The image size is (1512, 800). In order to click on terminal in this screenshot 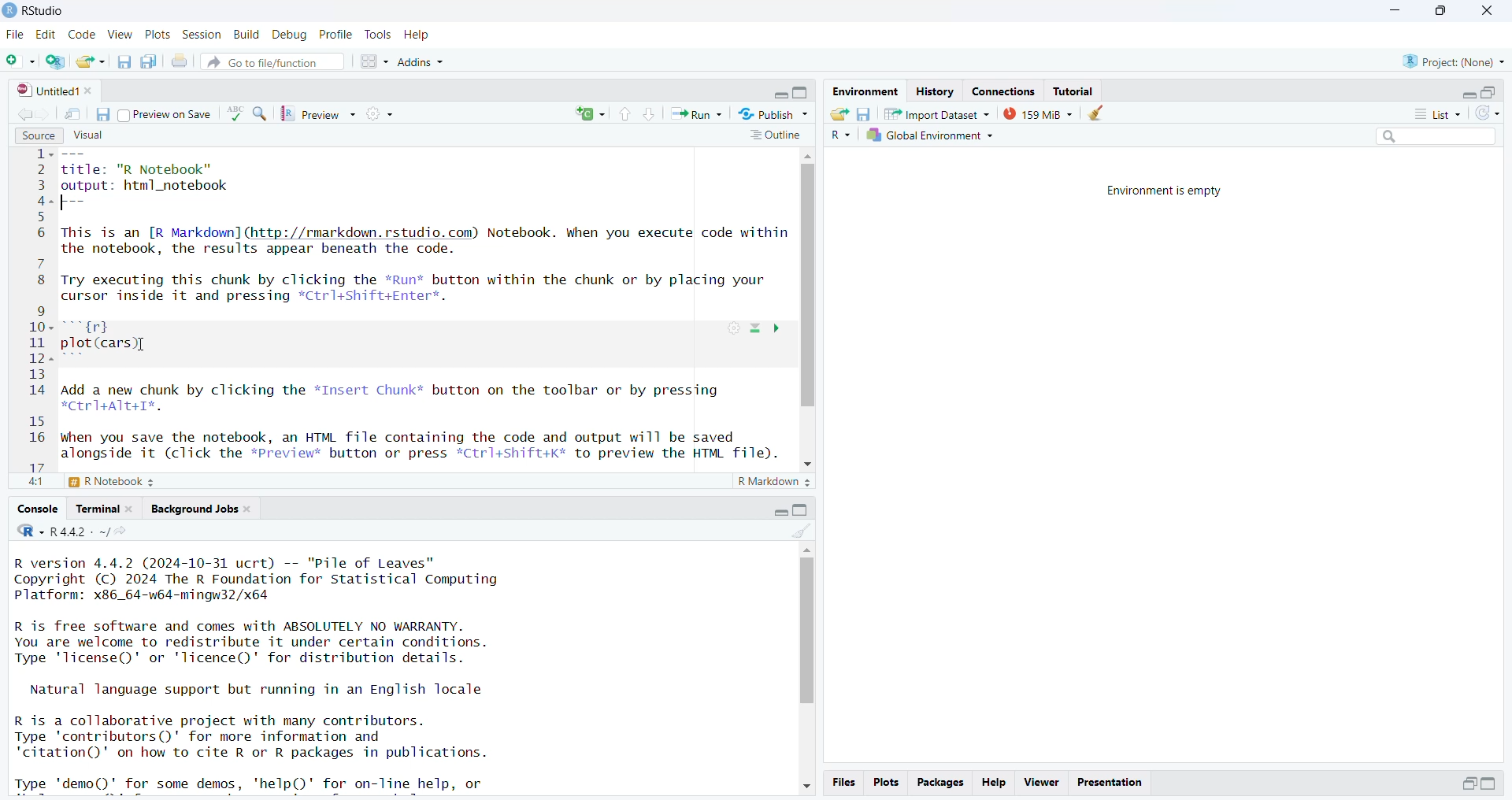, I will do `click(106, 508)`.